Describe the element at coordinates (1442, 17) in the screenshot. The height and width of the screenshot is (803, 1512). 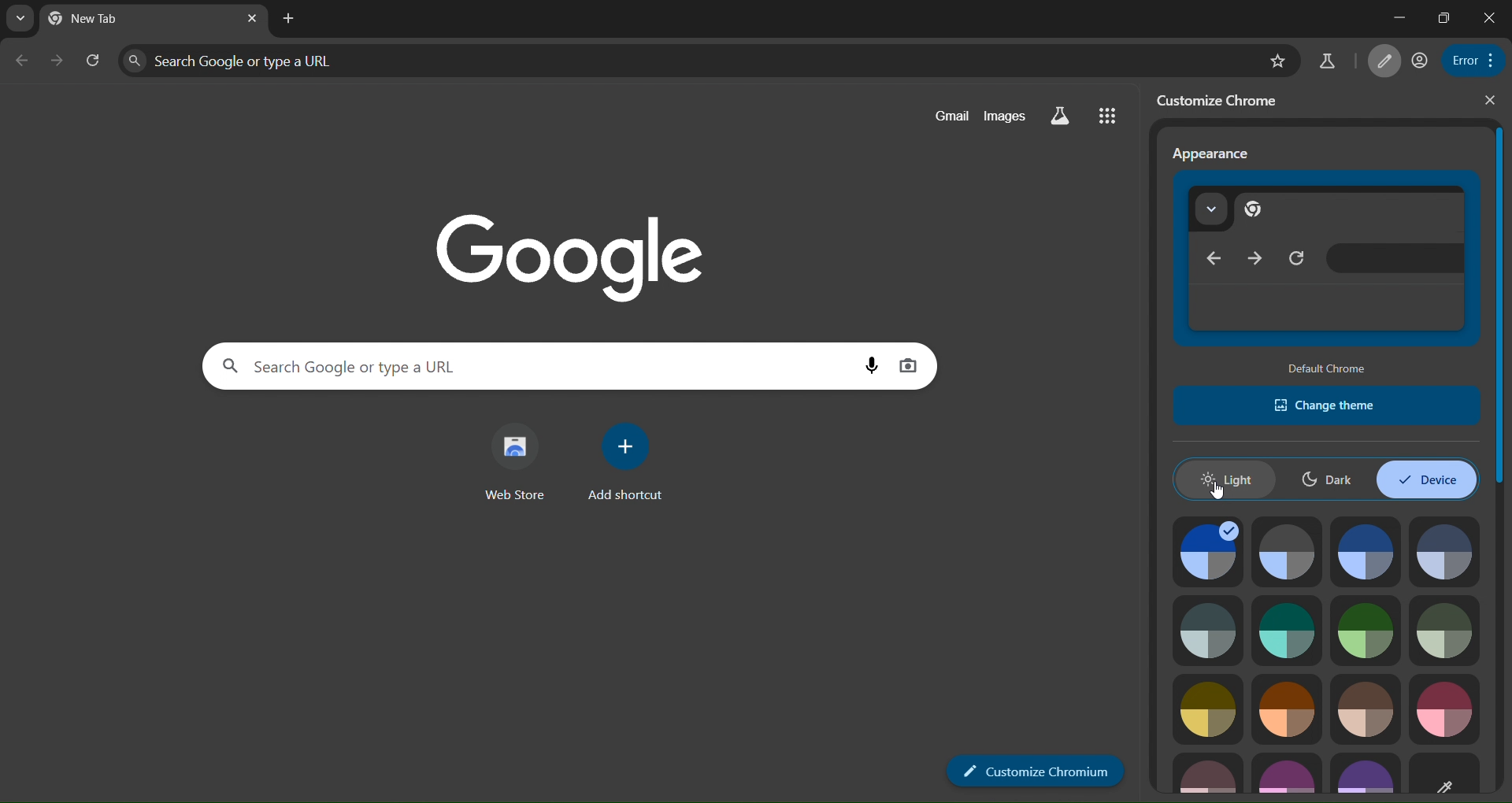
I see `restore down` at that location.